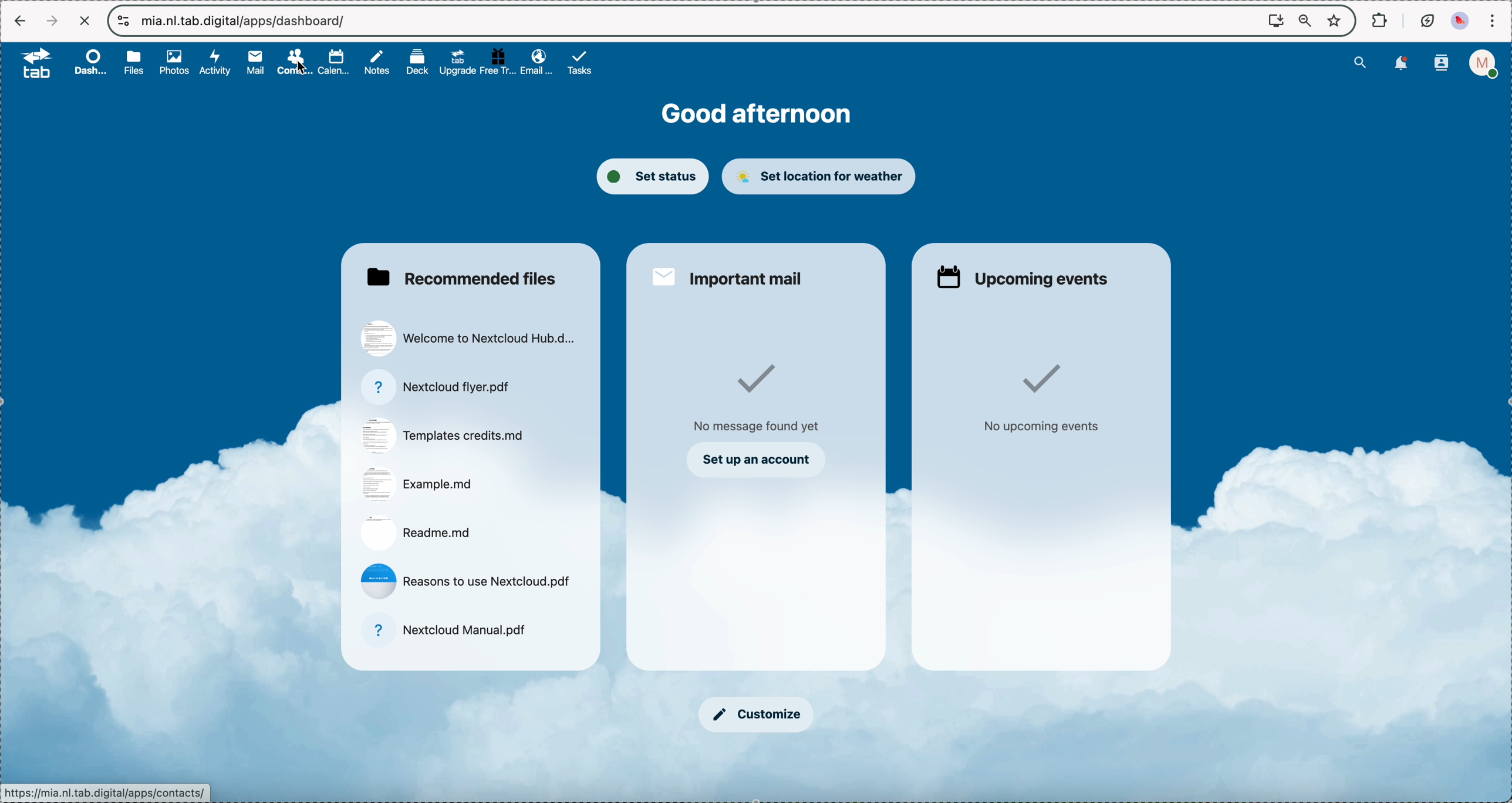  What do you see at coordinates (468, 338) in the screenshot?
I see `file` at bounding box center [468, 338].